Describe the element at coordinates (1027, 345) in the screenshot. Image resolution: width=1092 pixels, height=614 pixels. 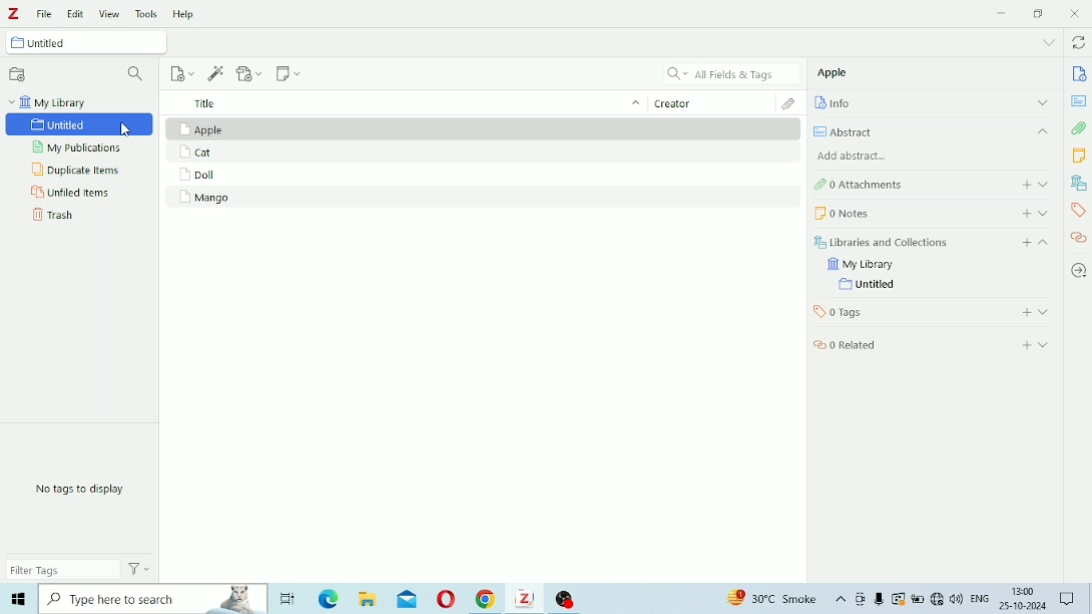
I see `Add` at that location.